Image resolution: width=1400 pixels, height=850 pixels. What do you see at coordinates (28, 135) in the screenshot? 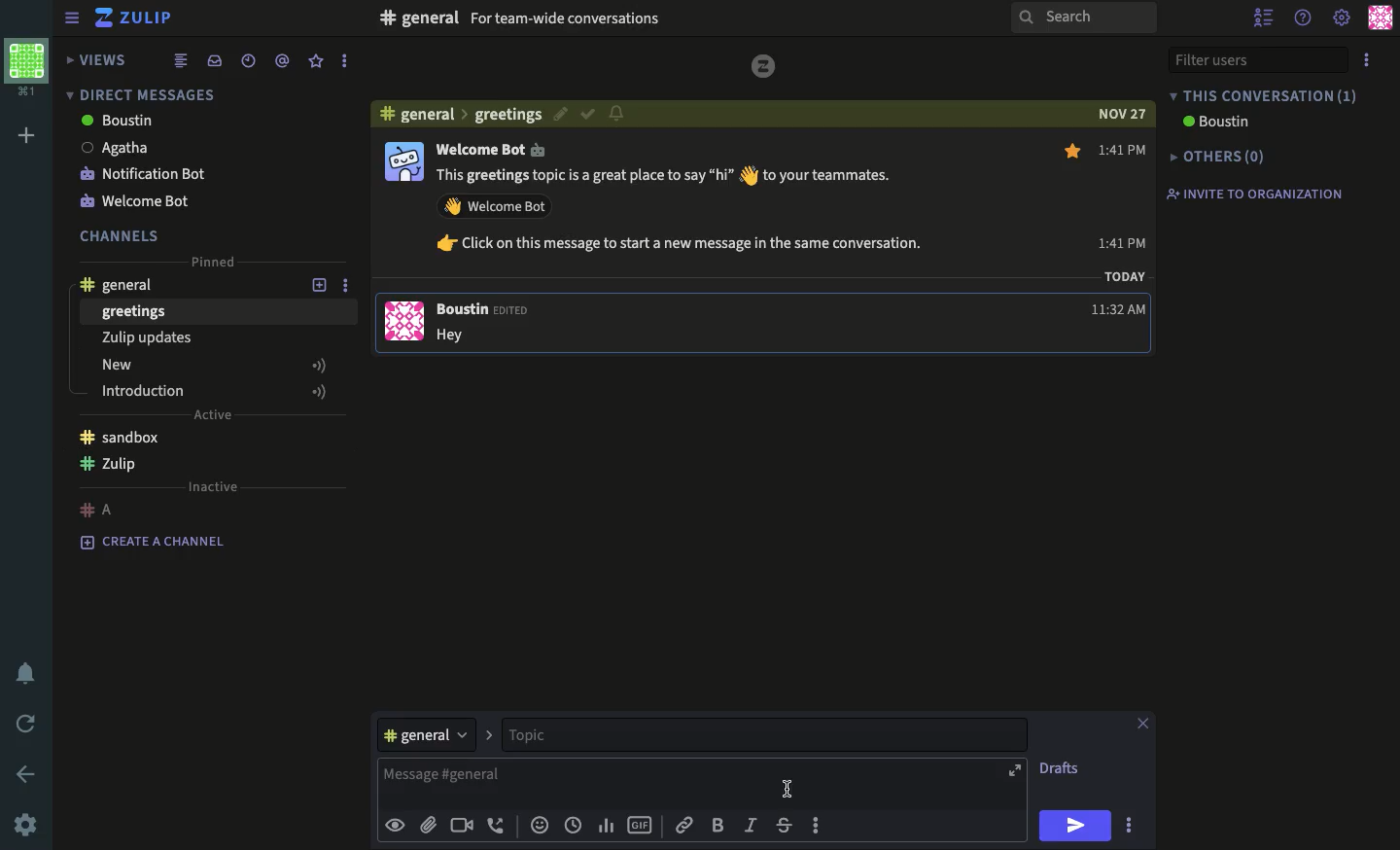
I see `add workspace ` at bounding box center [28, 135].